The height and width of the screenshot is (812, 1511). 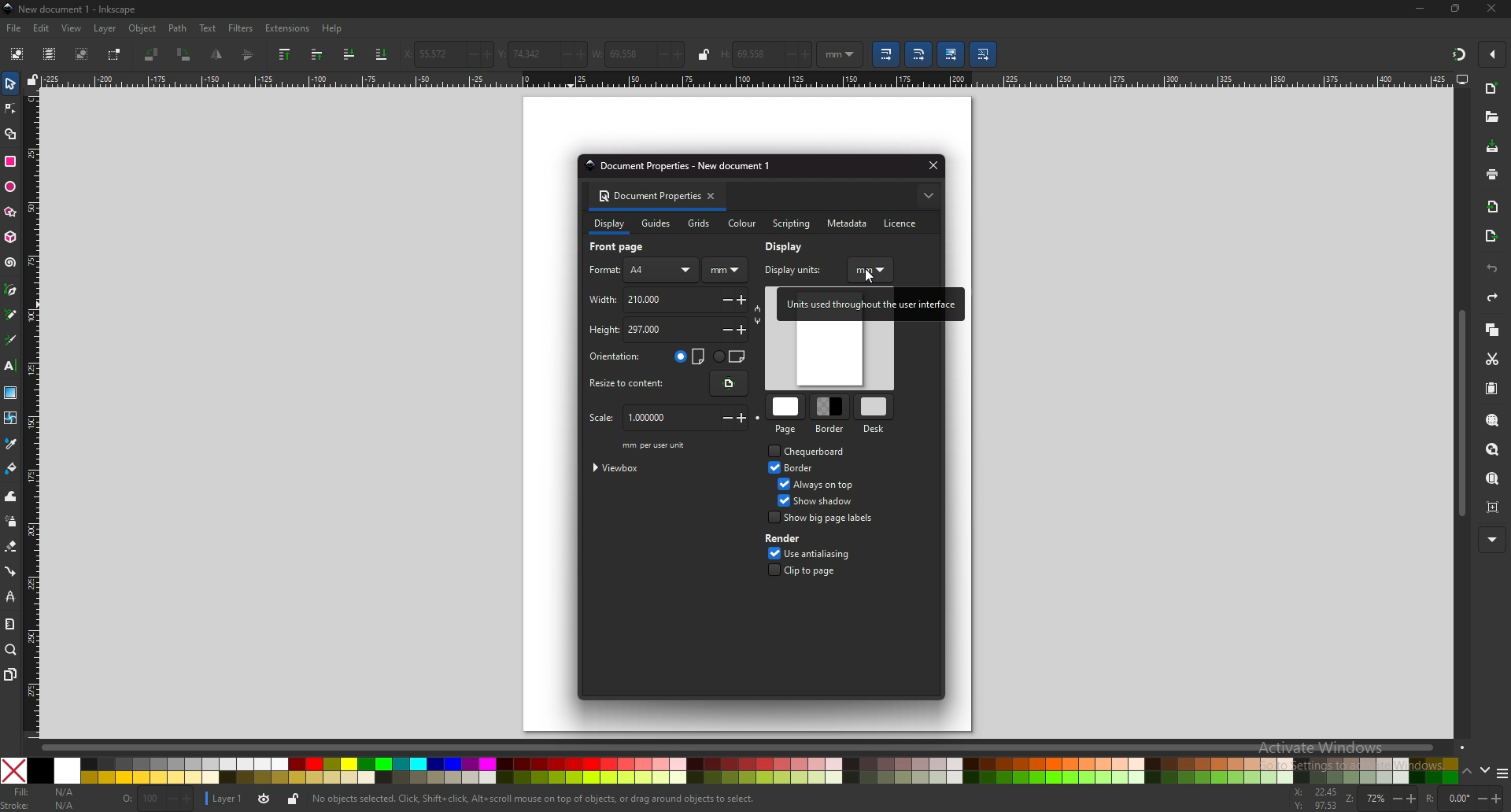 I want to click on export, so click(x=1491, y=236).